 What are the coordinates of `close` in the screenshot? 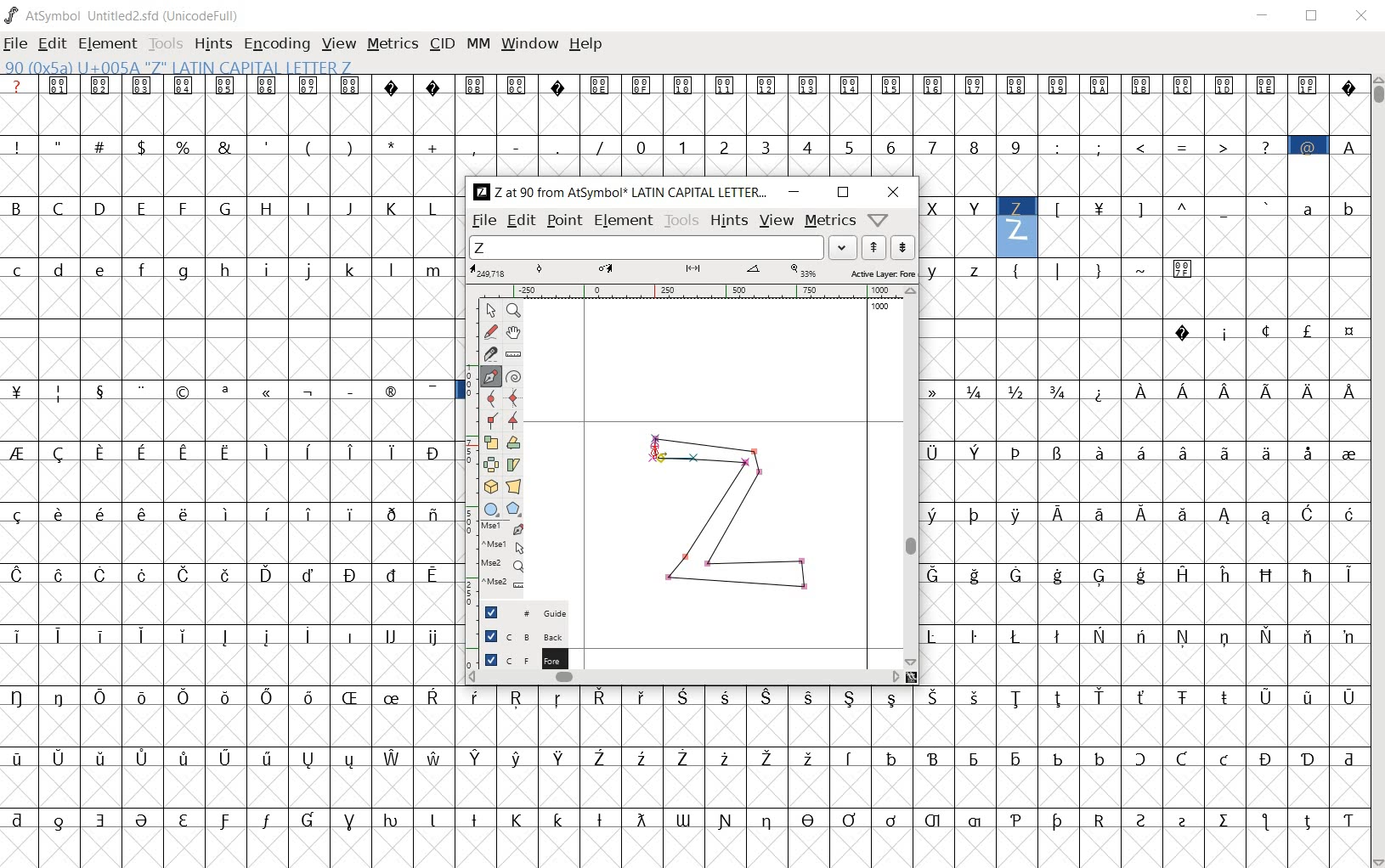 It's located at (1362, 14).